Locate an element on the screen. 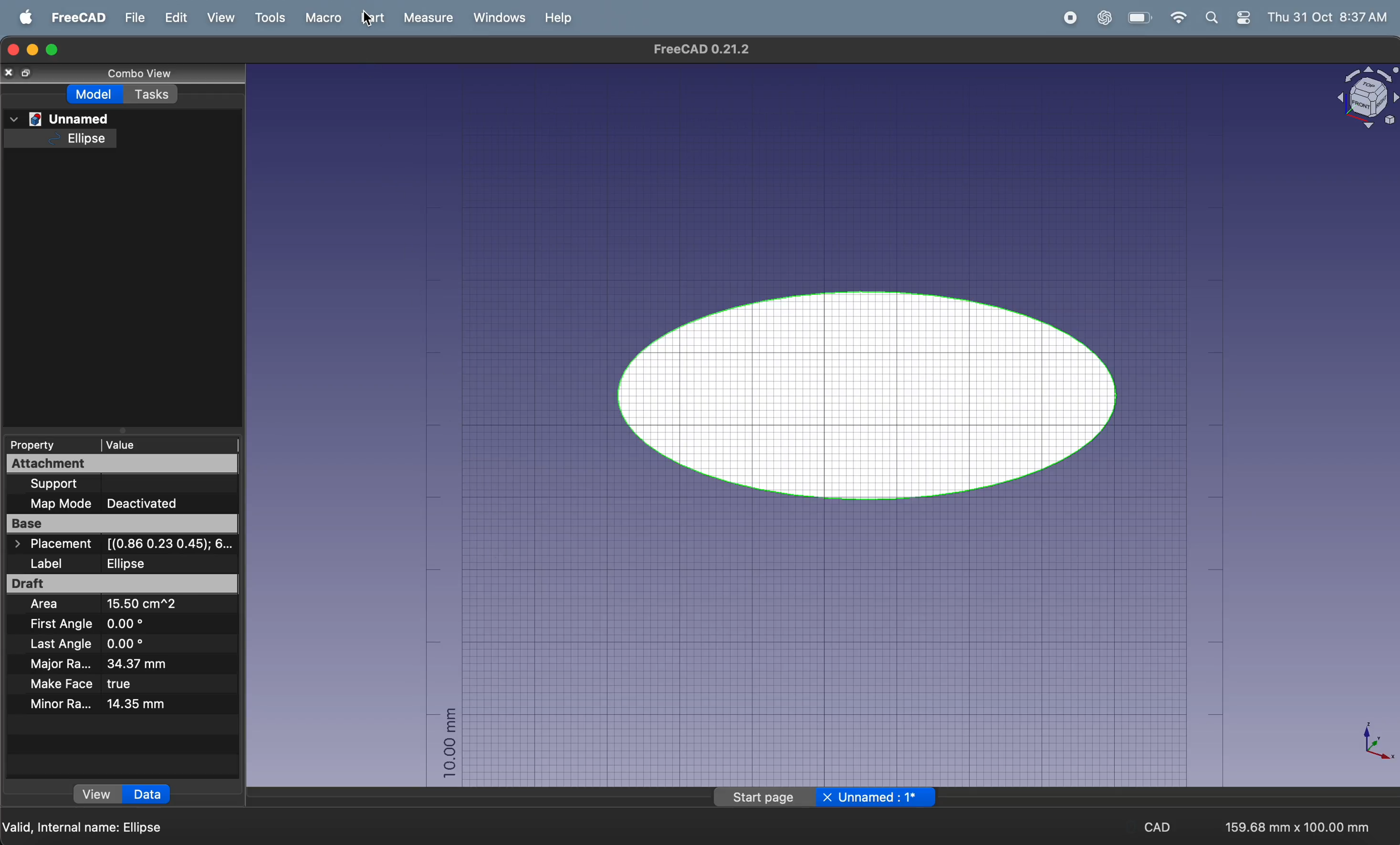  file is located at coordinates (131, 19).